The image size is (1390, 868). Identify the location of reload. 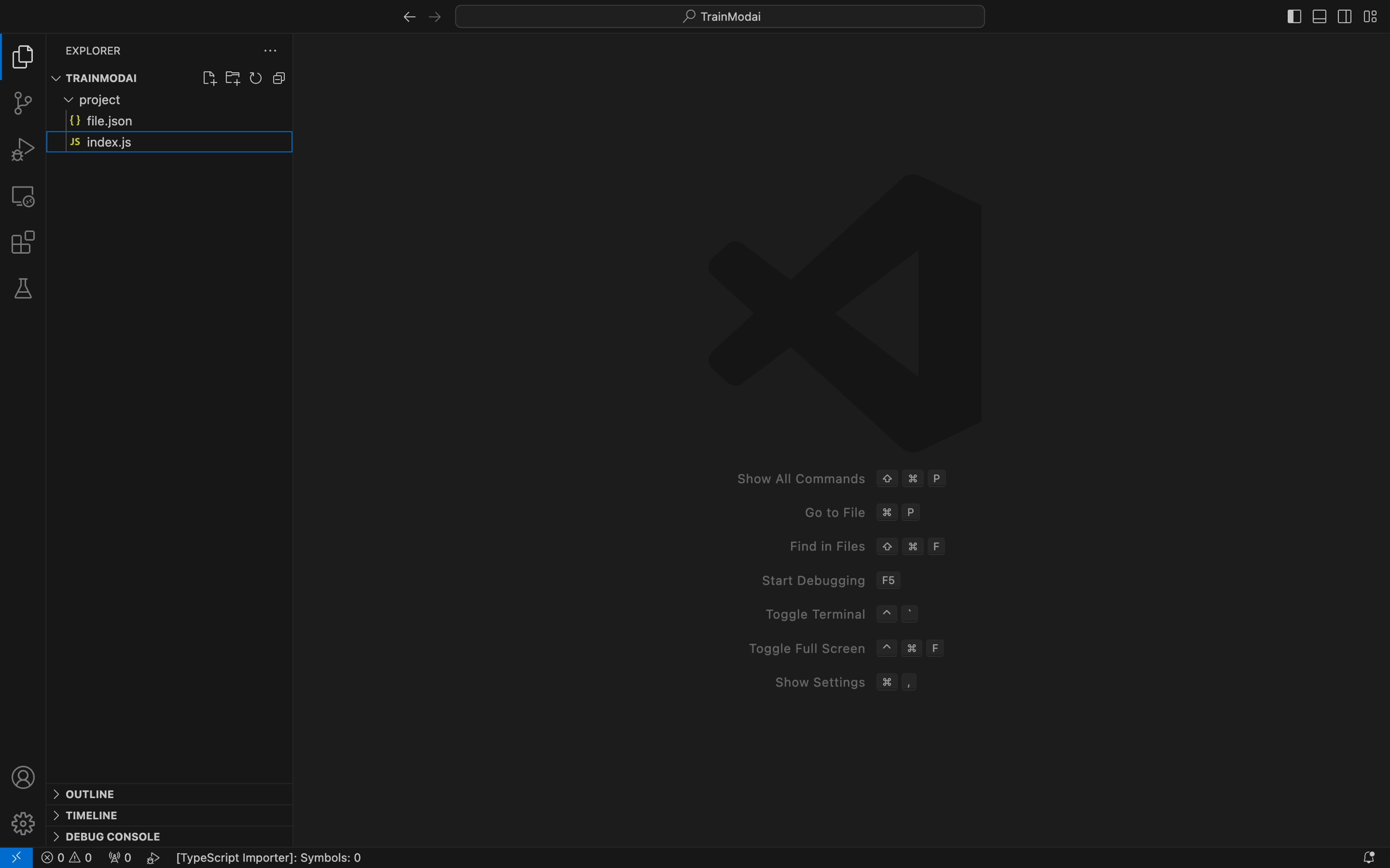
(256, 79).